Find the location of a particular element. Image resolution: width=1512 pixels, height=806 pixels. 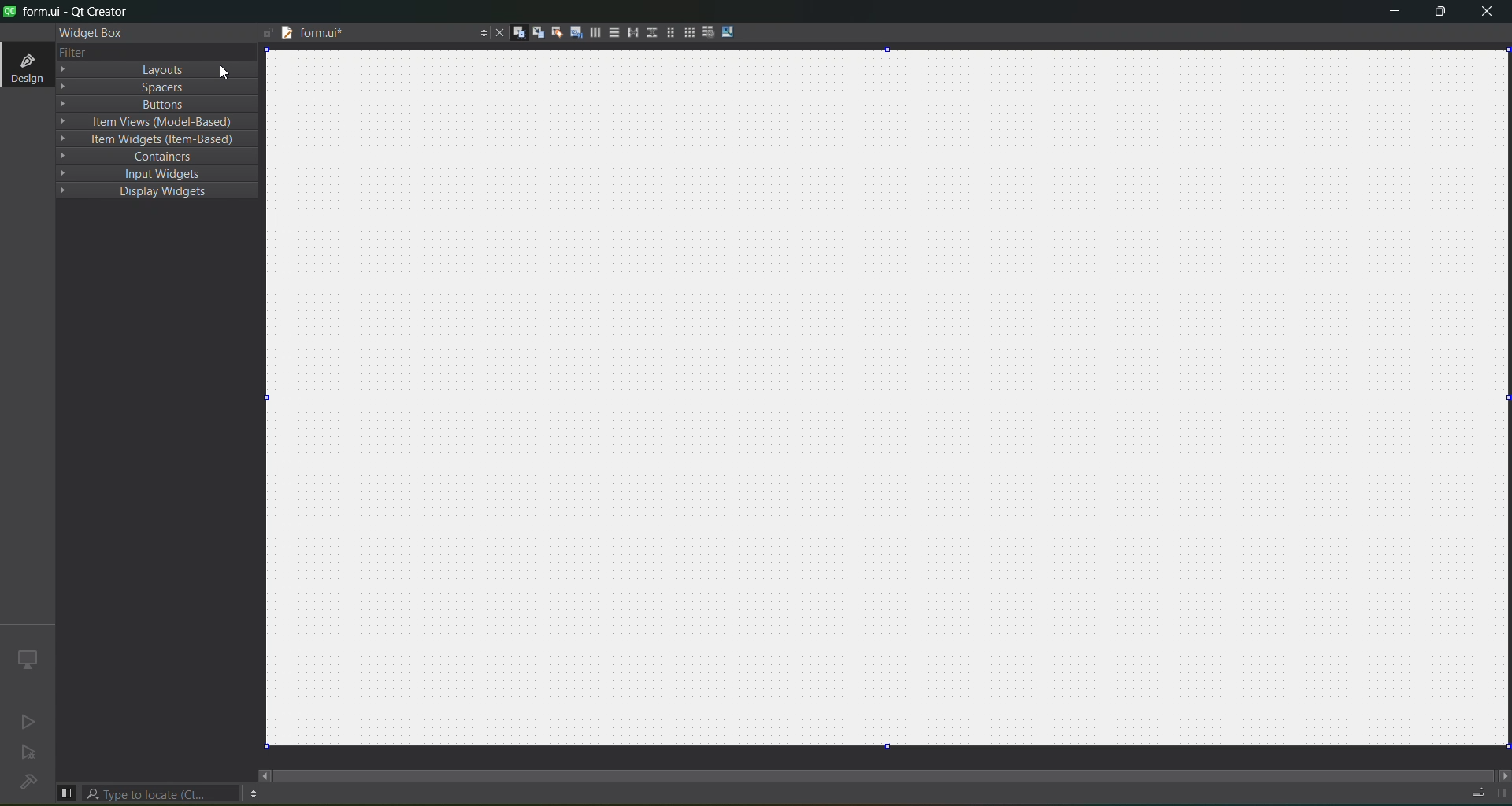

horizontal splitter is located at coordinates (630, 35).